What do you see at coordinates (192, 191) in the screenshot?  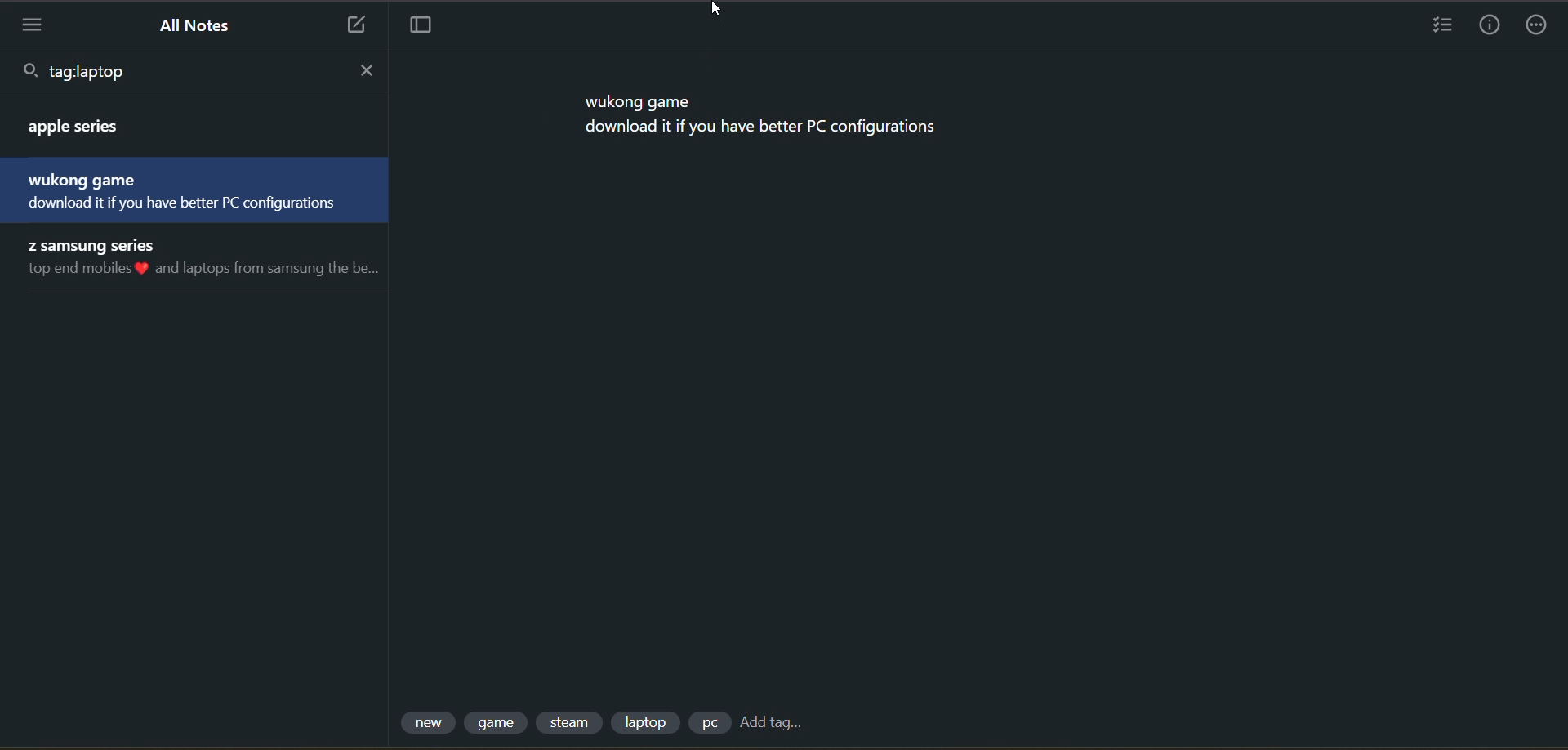 I see `notes with tag matching` at bounding box center [192, 191].